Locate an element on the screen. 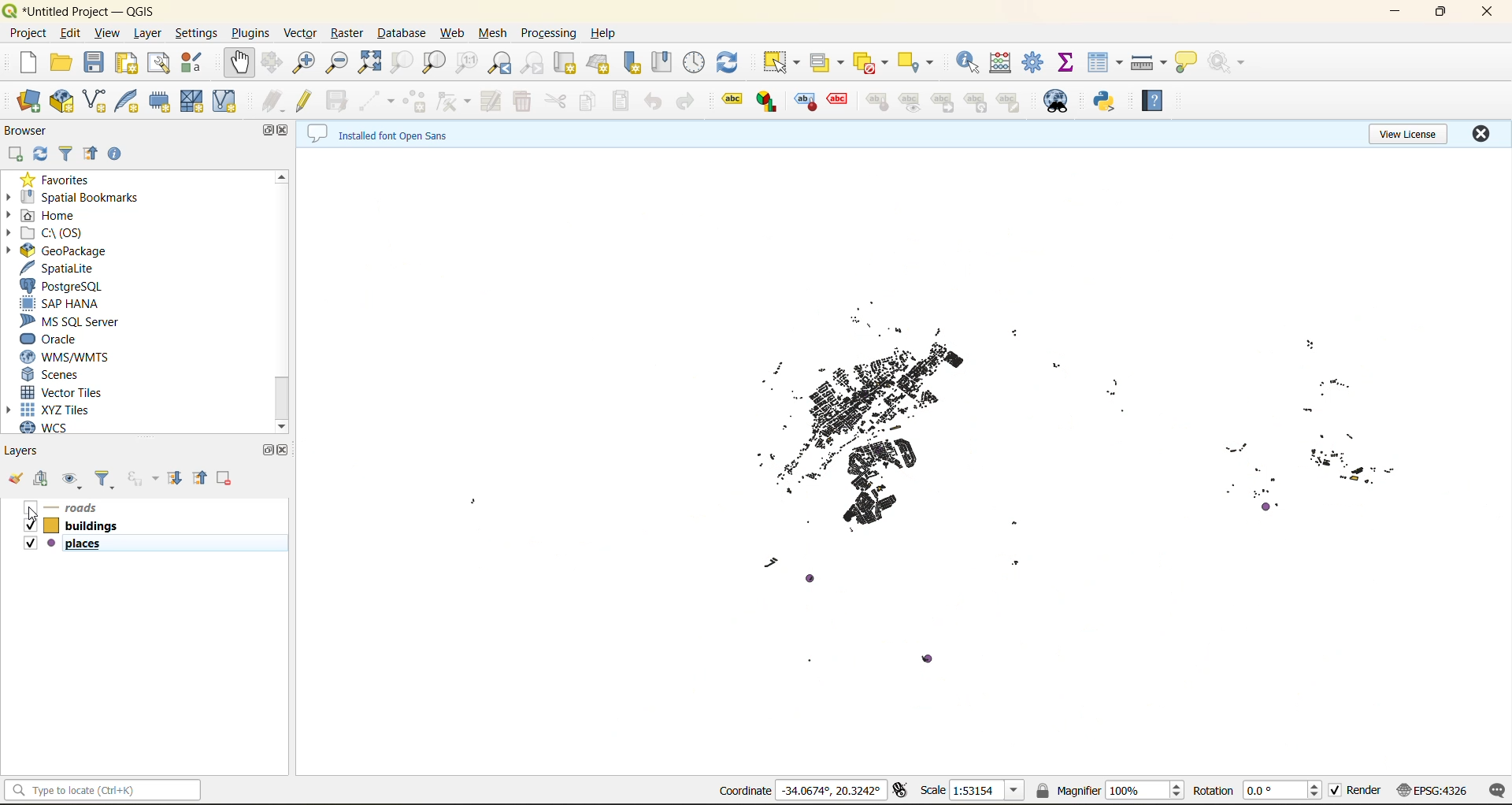 The width and height of the screenshot is (1512, 805). oracle is located at coordinates (75, 340).